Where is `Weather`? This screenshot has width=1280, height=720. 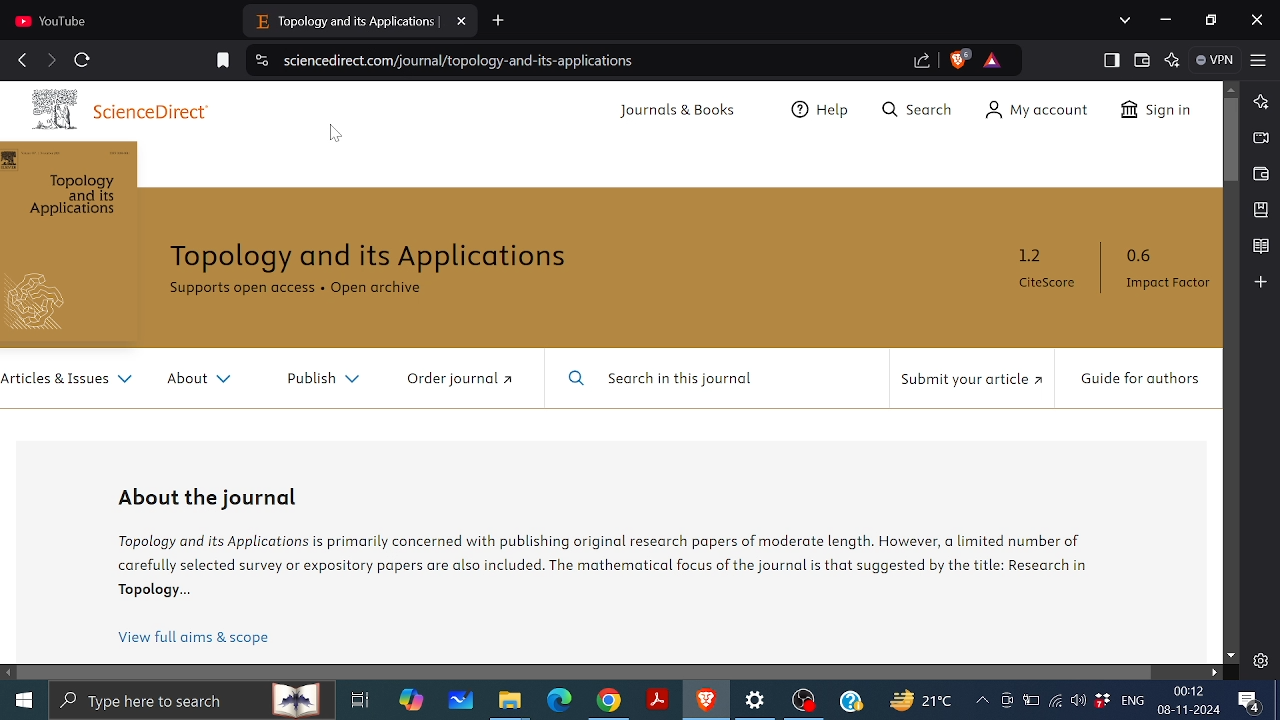 Weather is located at coordinates (919, 699).